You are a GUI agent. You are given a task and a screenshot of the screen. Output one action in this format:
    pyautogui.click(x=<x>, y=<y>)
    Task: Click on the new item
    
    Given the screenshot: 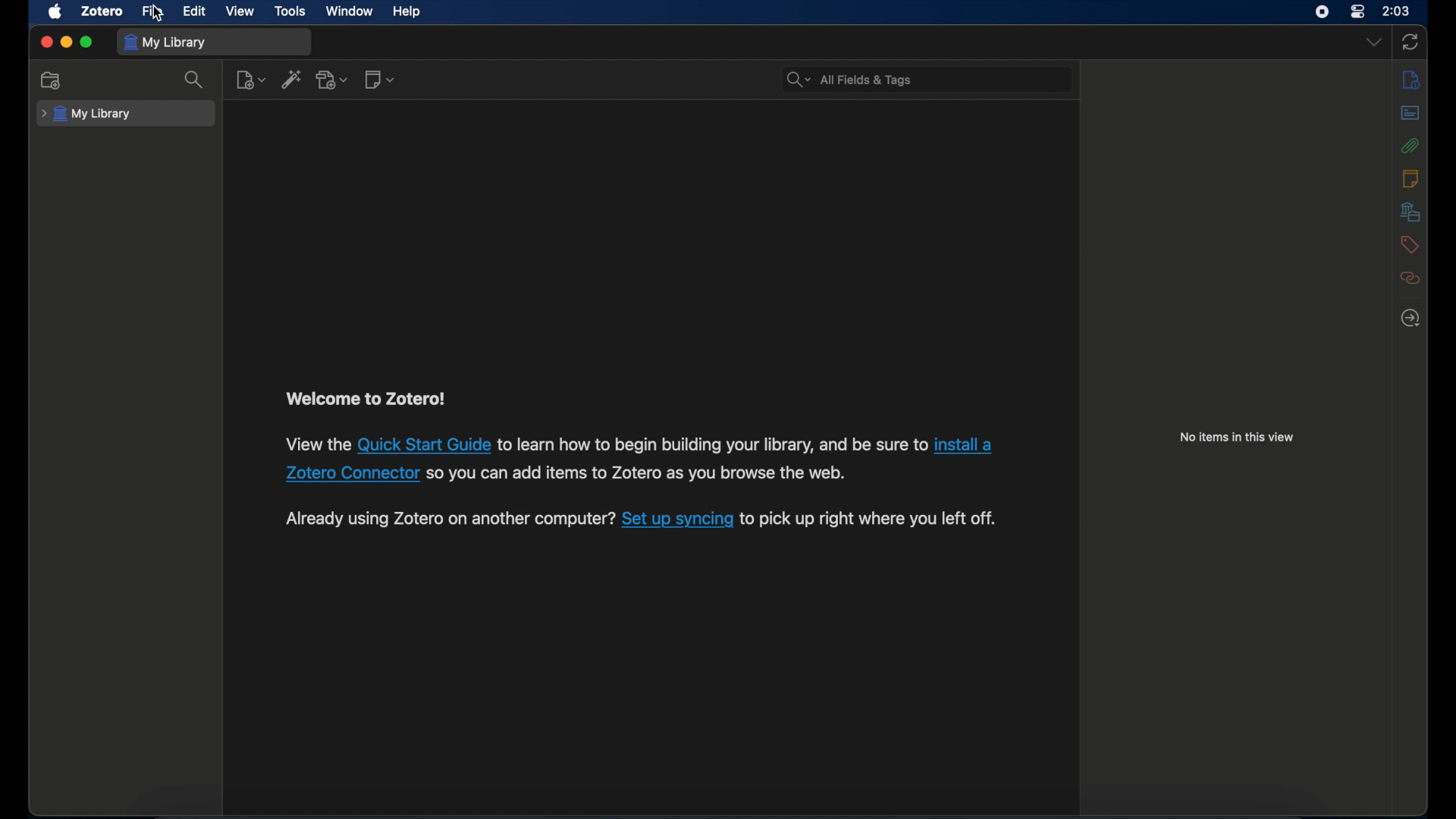 What is the action you would take?
    pyautogui.click(x=251, y=79)
    